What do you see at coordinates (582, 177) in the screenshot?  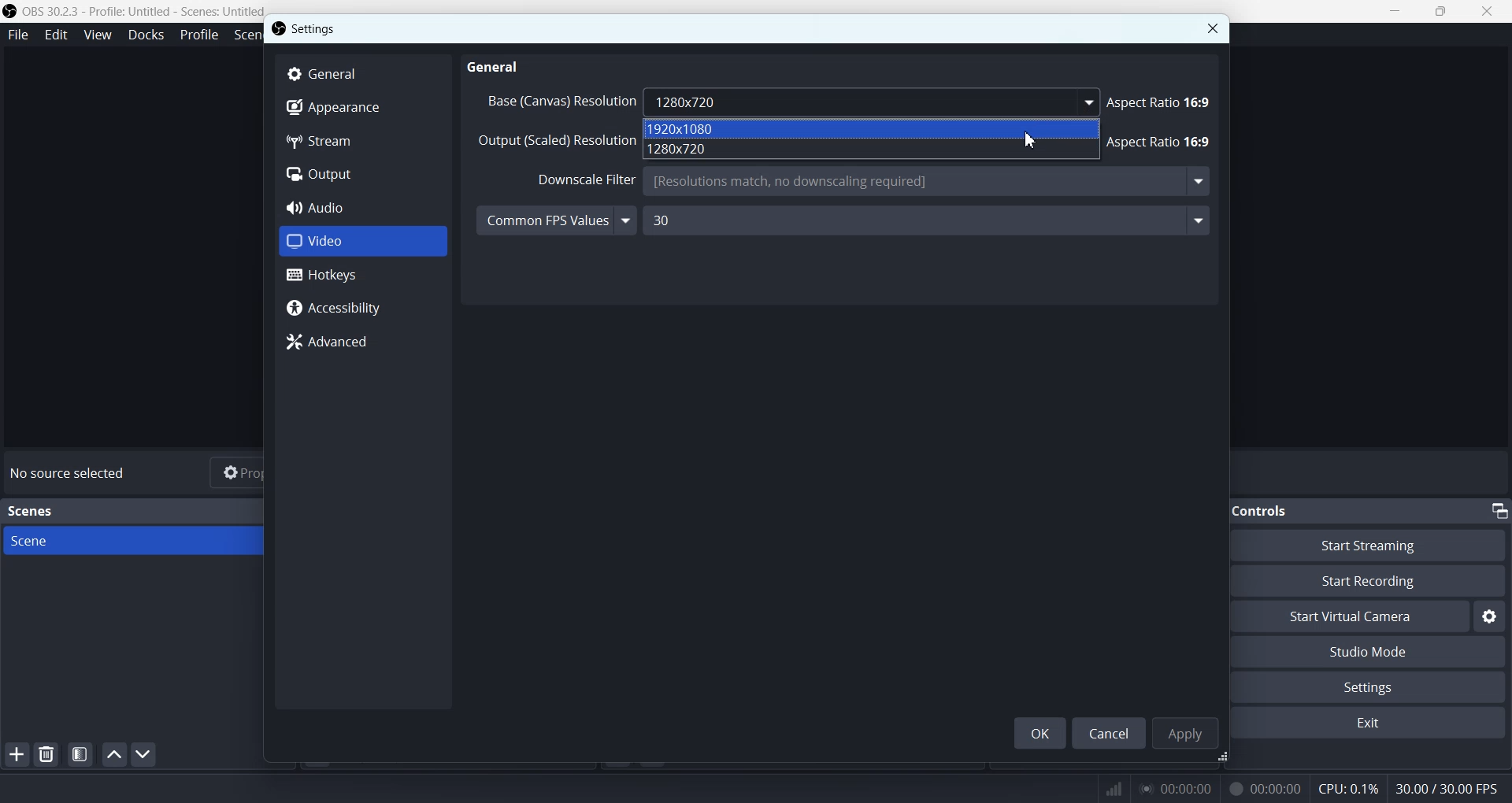 I see `filter` at bounding box center [582, 177].